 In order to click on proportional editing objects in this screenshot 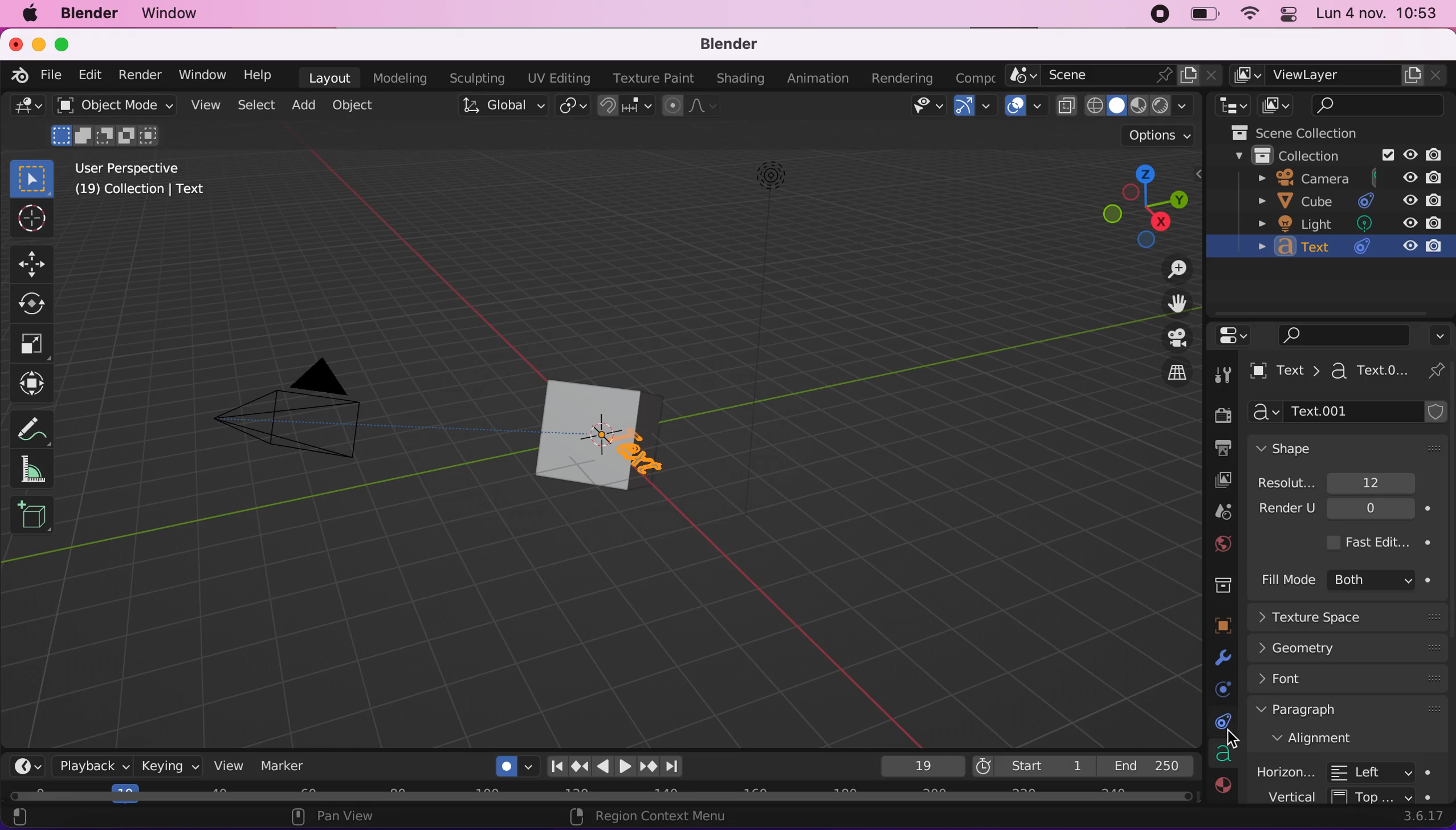, I will do `click(690, 107)`.